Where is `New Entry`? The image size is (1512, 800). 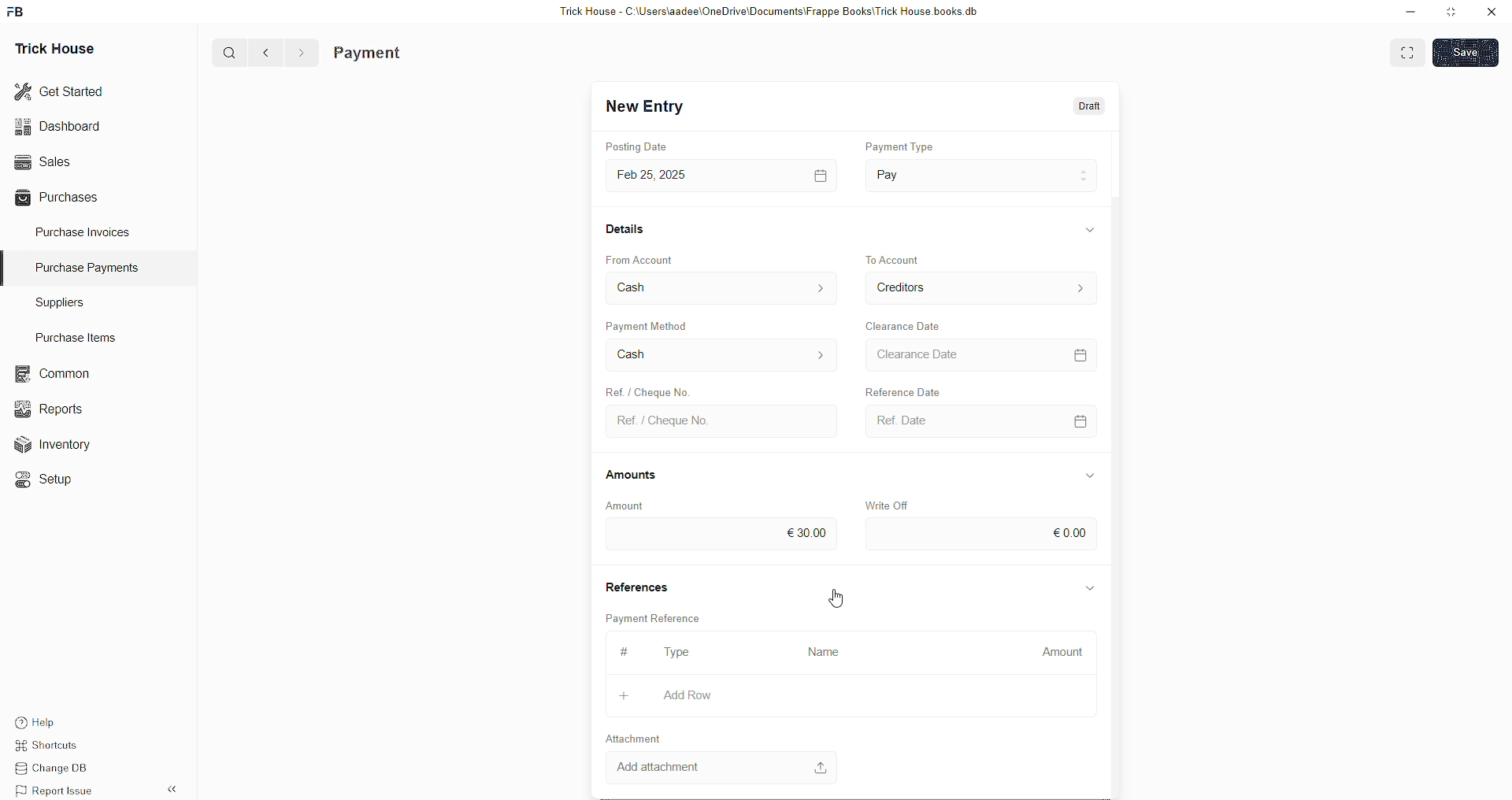
New Entry is located at coordinates (649, 107).